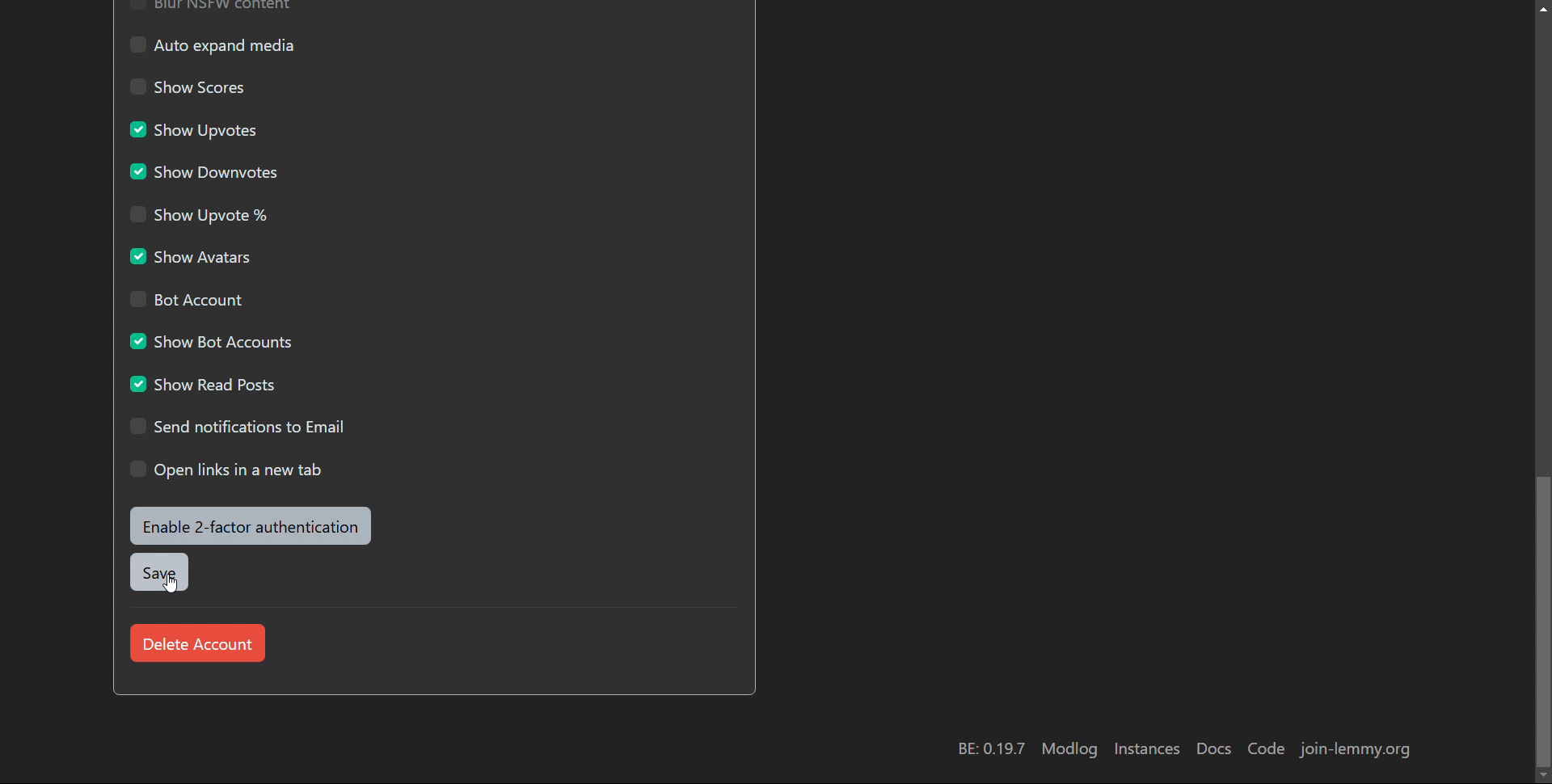 The image size is (1552, 784). What do you see at coordinates (196, 642) in the screenshot?
I see `delete account` at bounding box center [196, 642].